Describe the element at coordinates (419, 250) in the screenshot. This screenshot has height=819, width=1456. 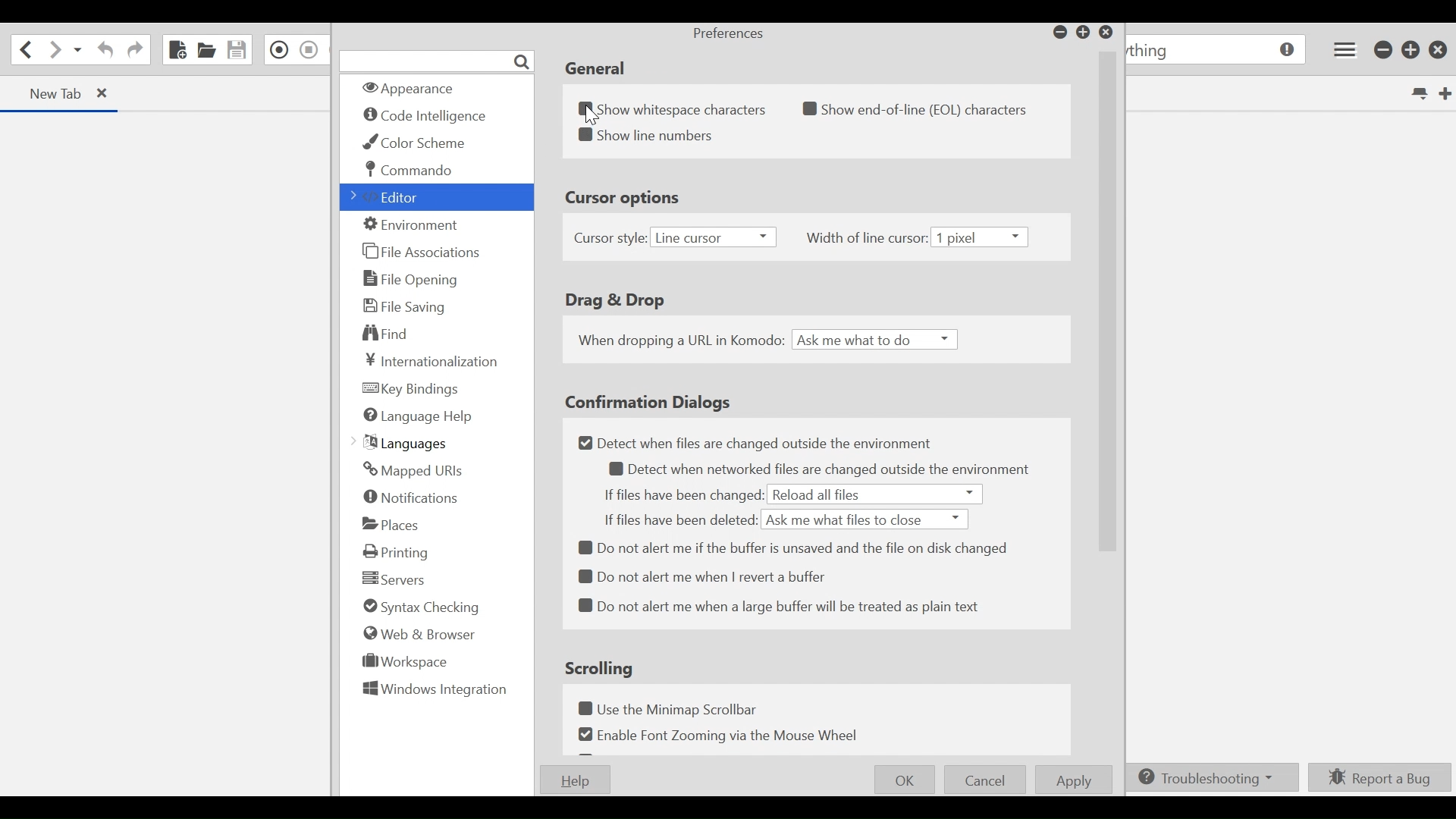
I see `File Association` at that location.